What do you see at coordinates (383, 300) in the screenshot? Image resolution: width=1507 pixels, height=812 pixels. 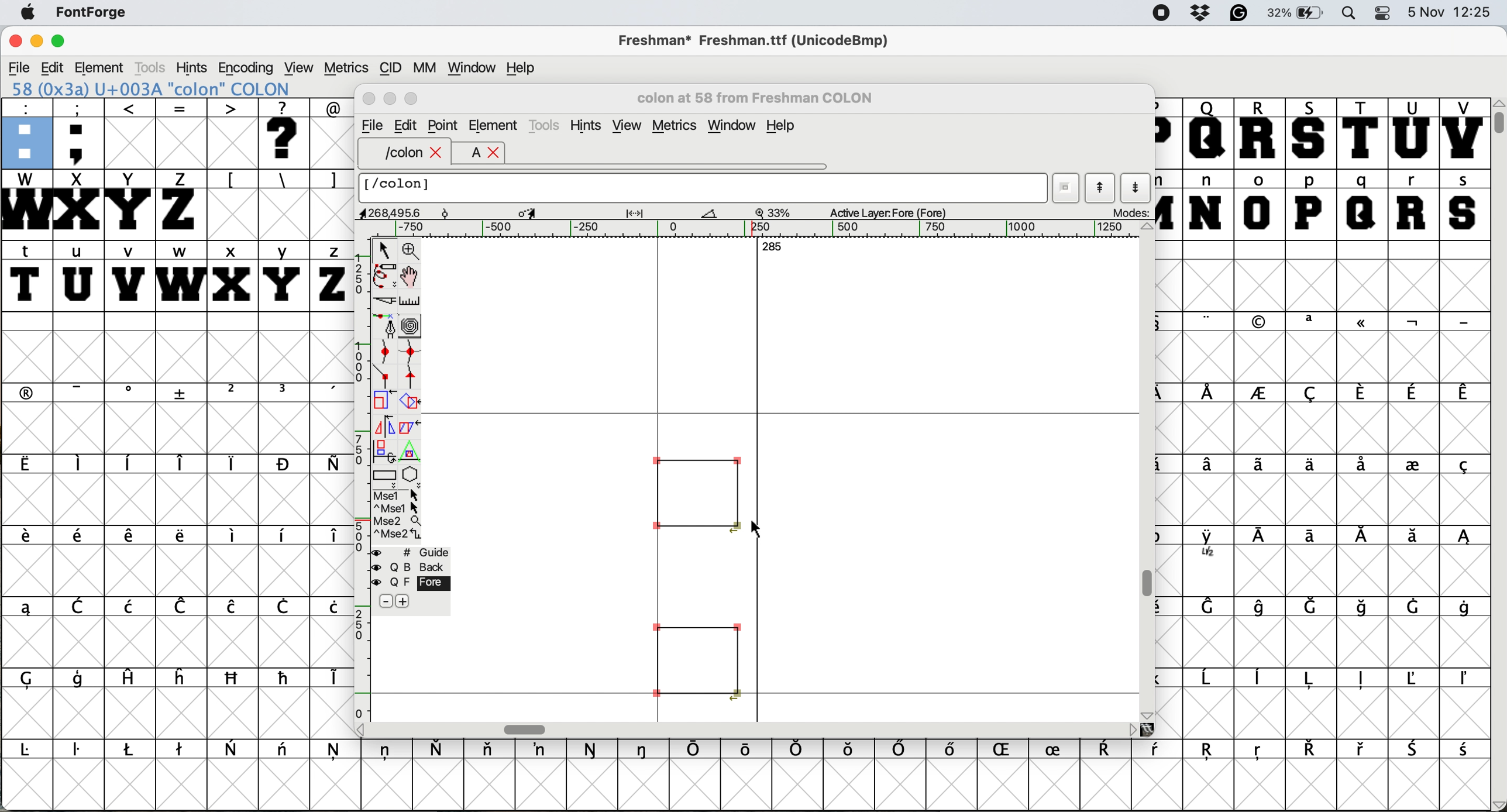 I see `cut splines in two` at bounding box center [383, 300].